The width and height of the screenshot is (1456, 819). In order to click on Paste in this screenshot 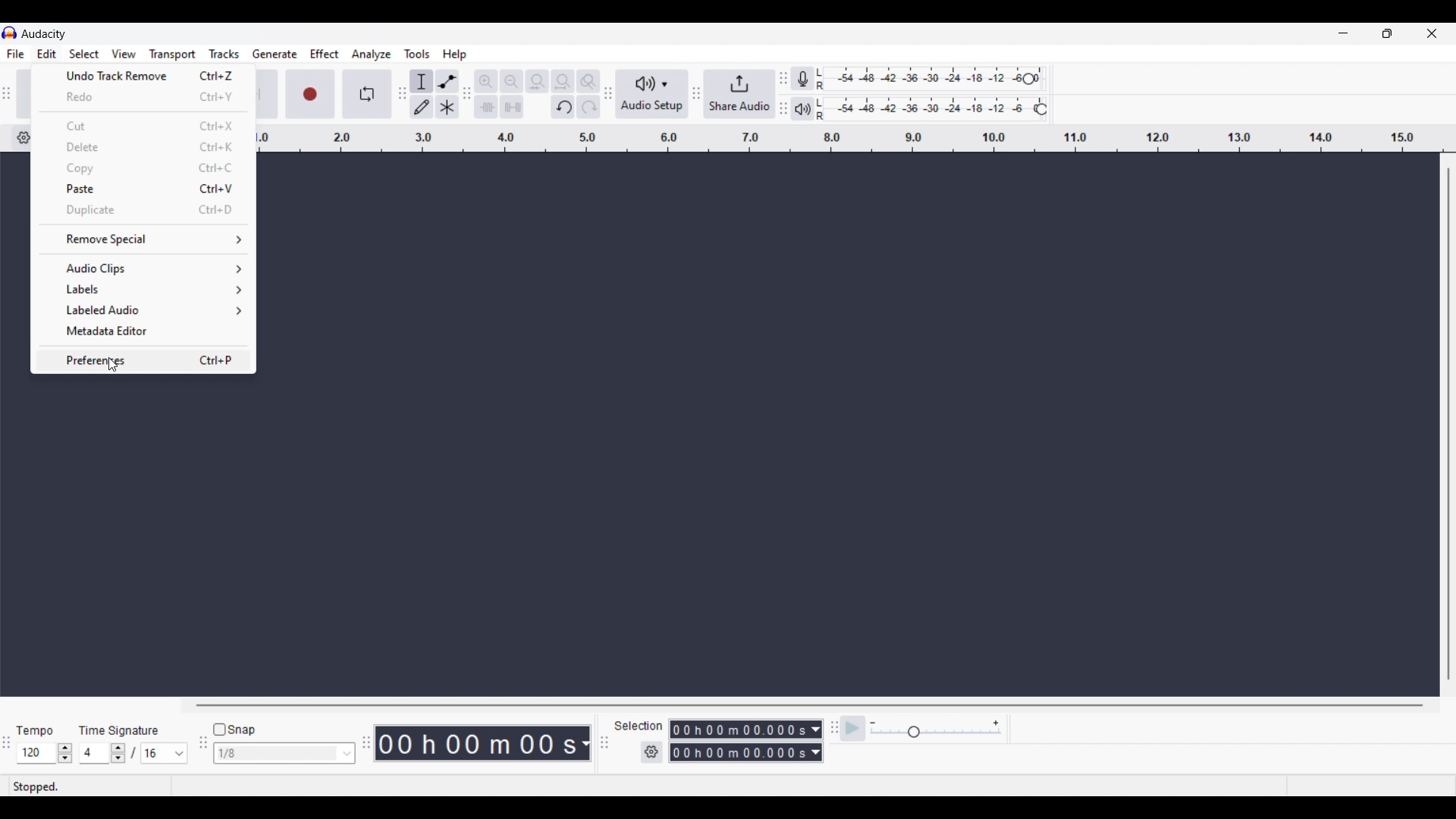, I will do `click(143, 188)`.